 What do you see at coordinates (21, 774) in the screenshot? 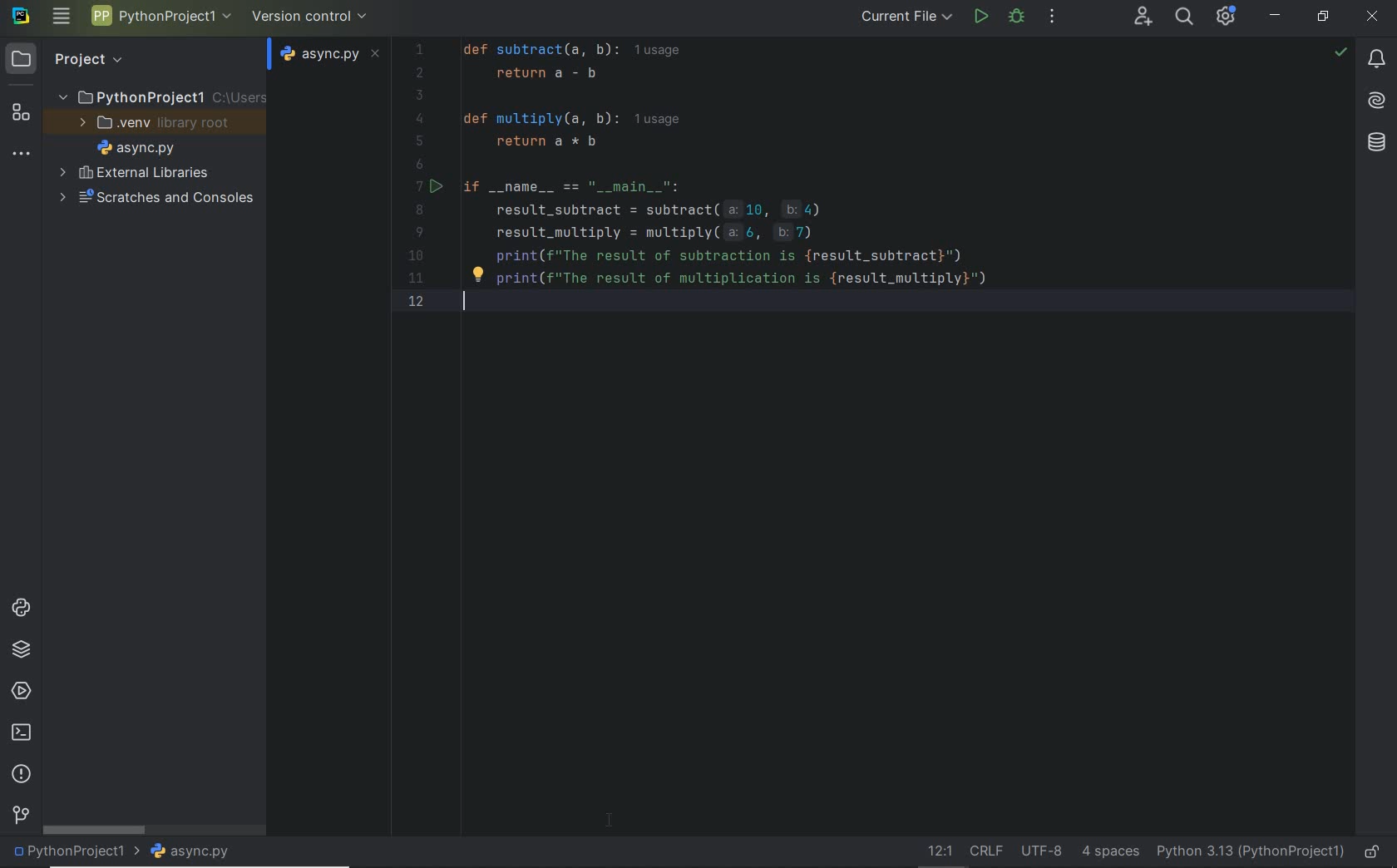
I see `problems` at bounding box center [21, 774].